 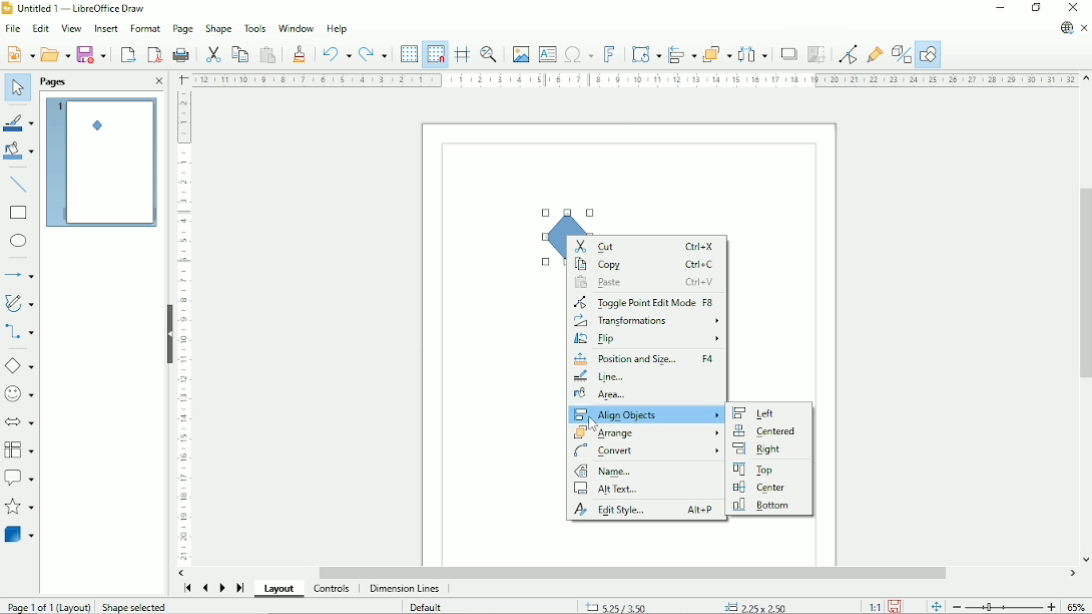 What do you see at coordinates (160, 81) in the screenshot?
I see `Close` at bounding box center [160, 81].